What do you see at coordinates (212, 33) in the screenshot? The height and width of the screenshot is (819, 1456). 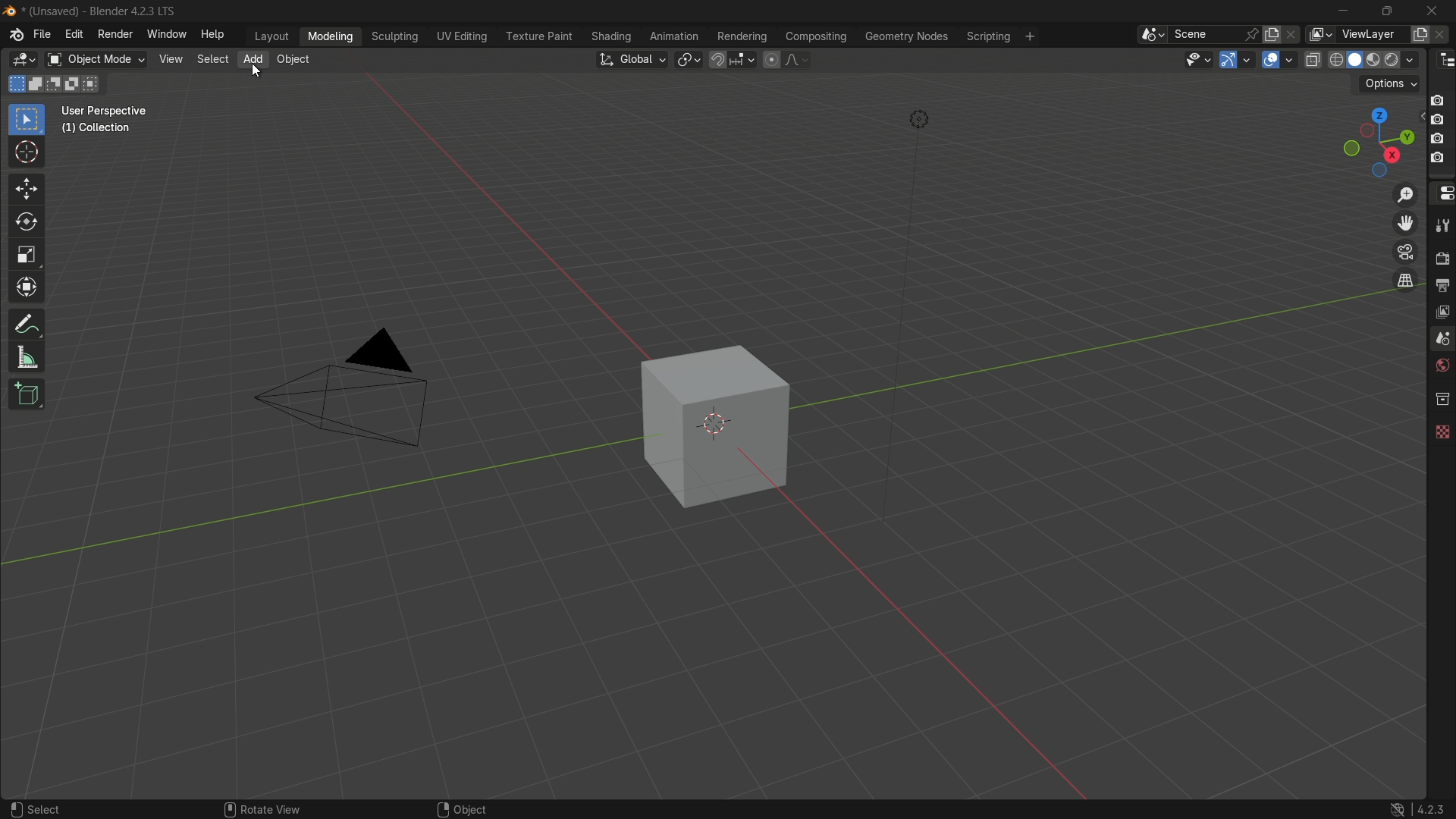 I see `help menu` at bounding box center [212, 33].